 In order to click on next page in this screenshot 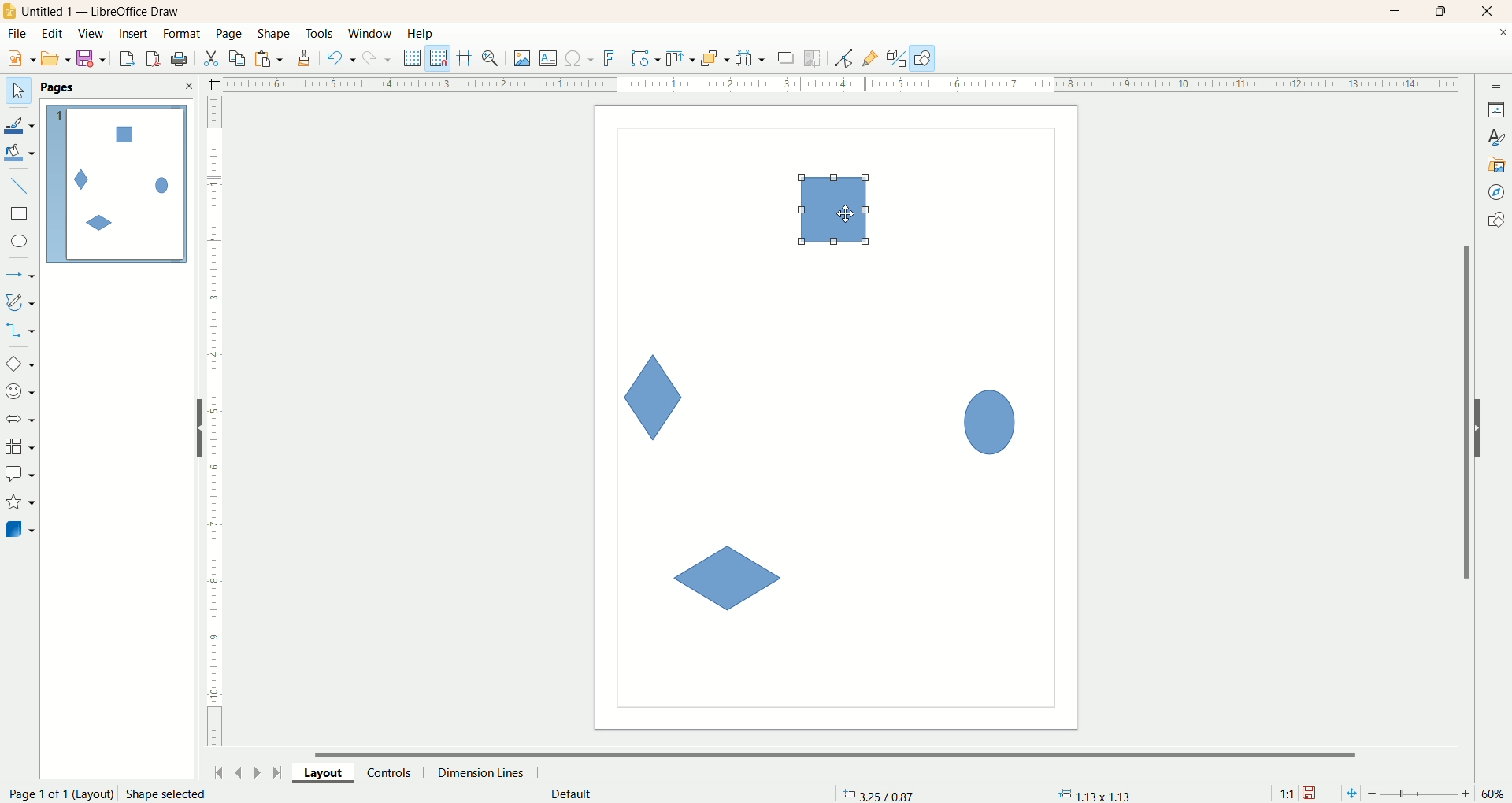, I will do `click(258, 772)`.